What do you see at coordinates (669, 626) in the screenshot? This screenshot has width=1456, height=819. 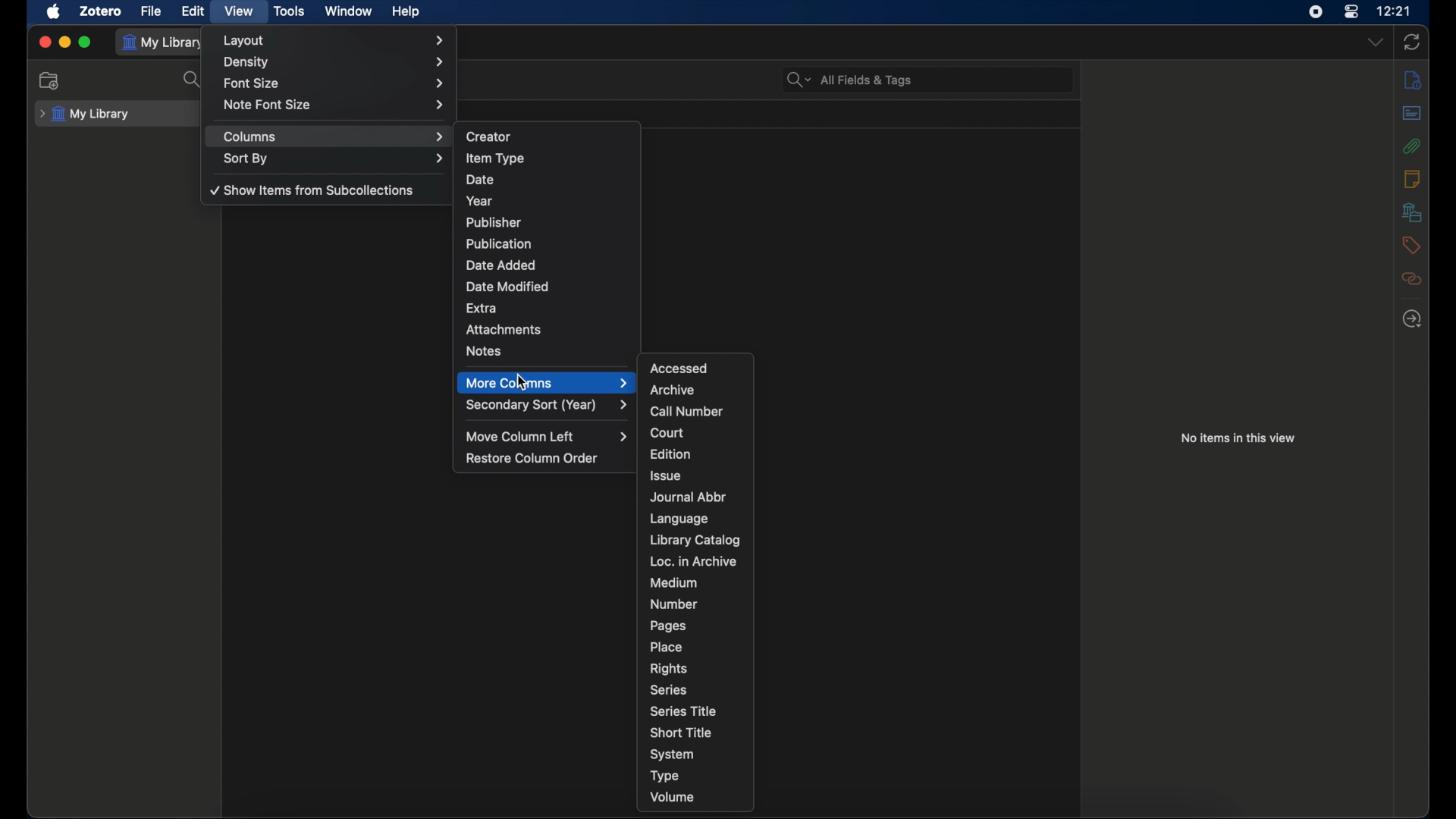 I see `pages` at bounding box center [669, 626].